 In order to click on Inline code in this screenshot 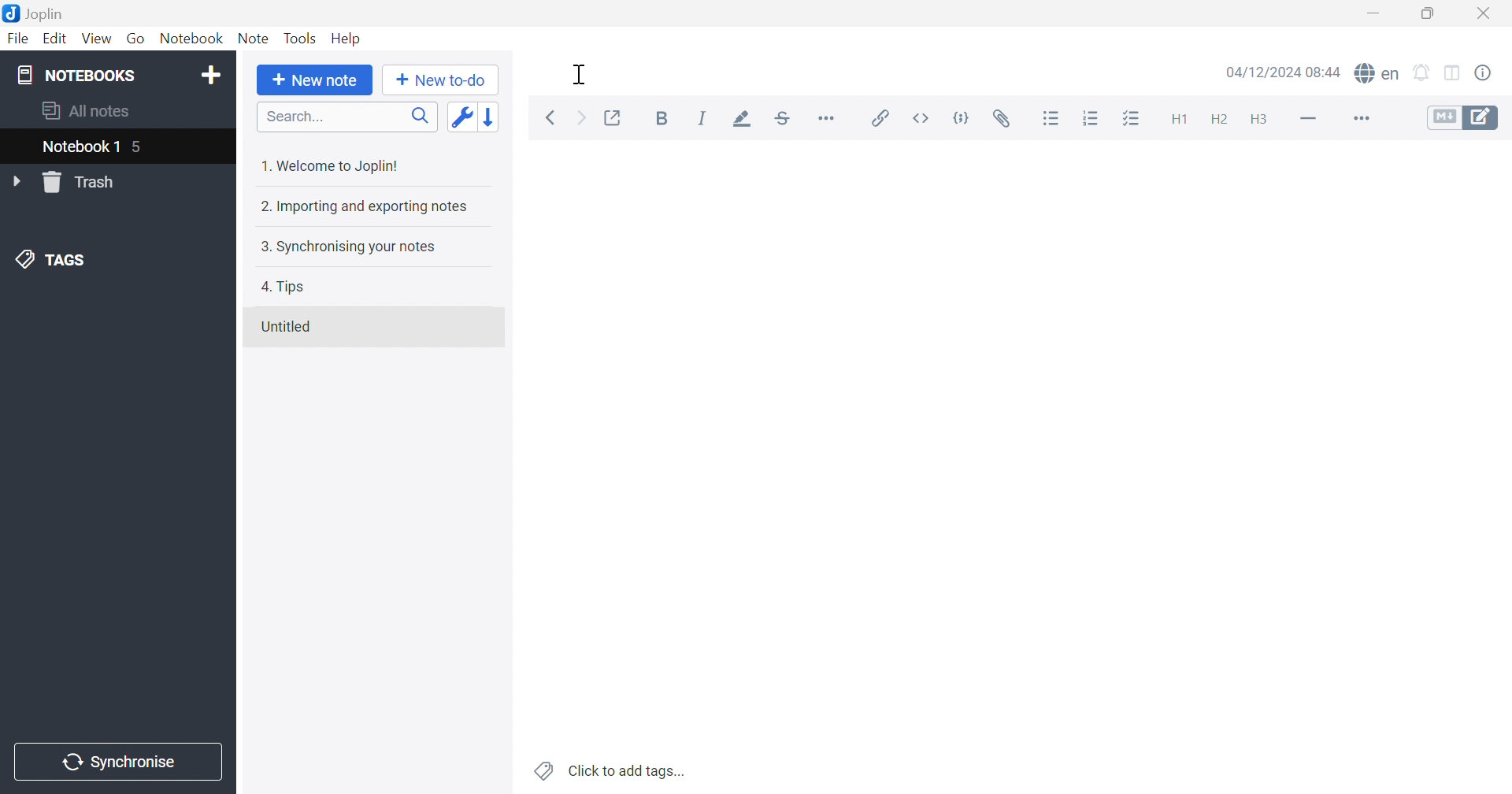, I will do `click(922, 118)`.